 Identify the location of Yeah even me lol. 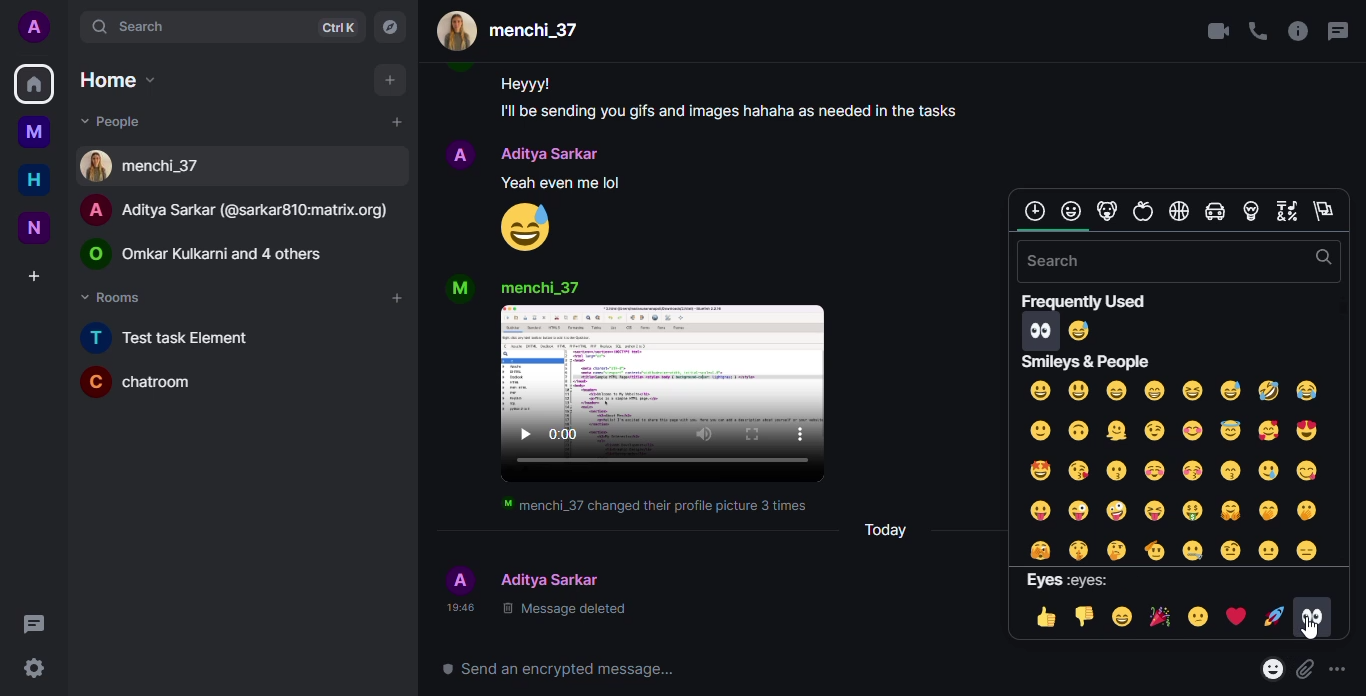
(549, 182).